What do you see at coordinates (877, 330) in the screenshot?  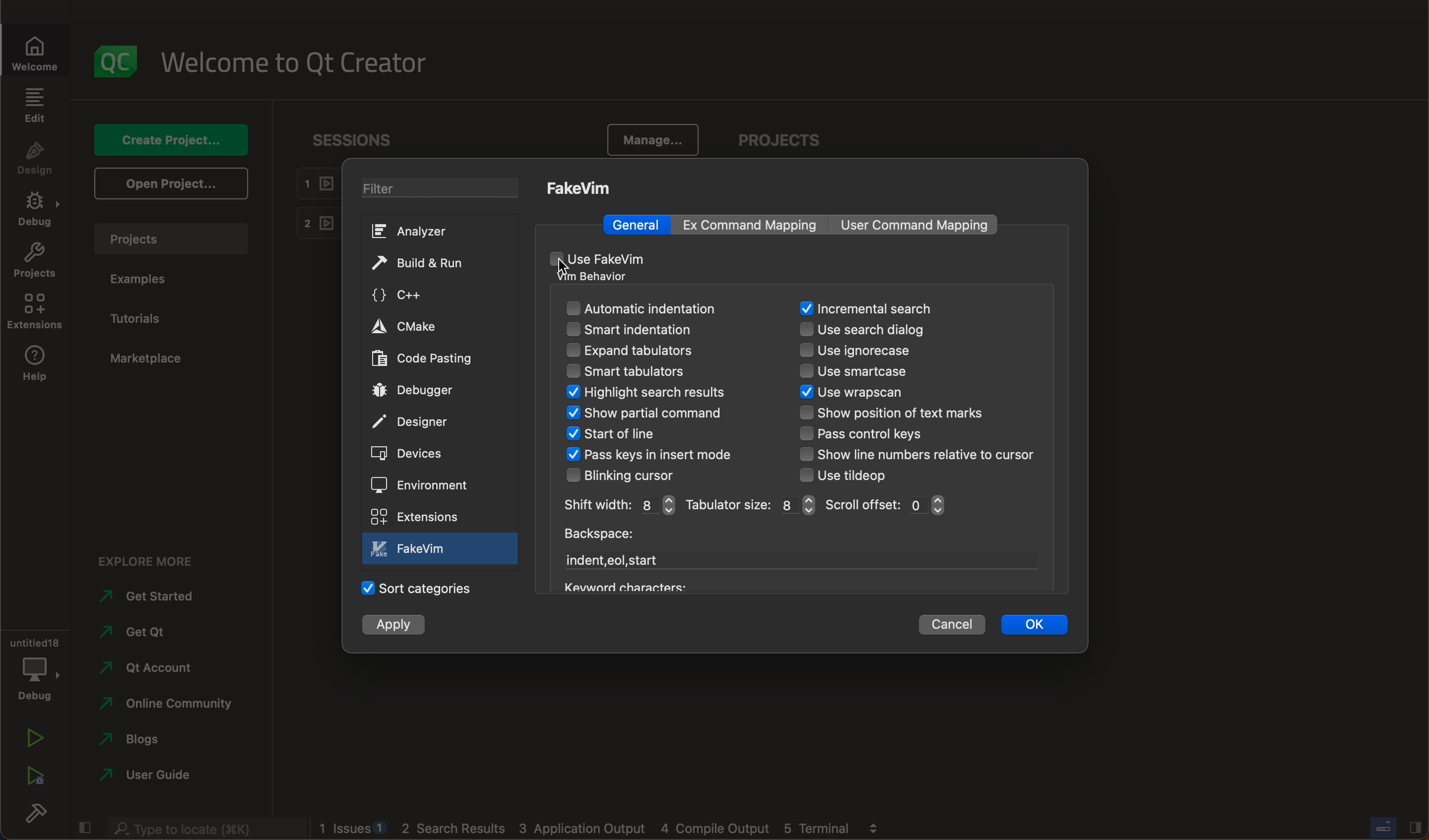 I see `search dialog` at bounding box center [877, 330].